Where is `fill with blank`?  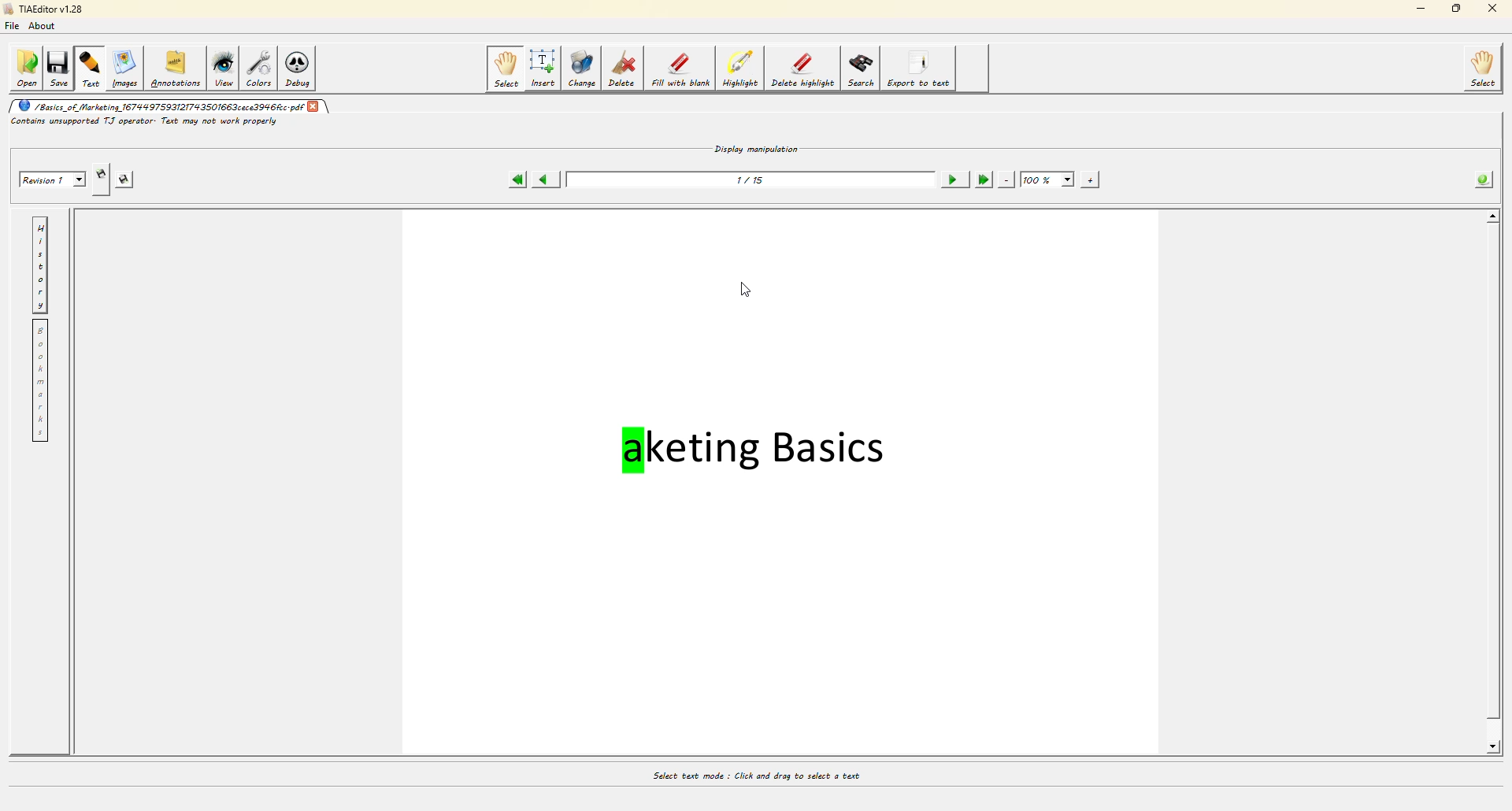 fill with blank is located at coordinates (679, 69).